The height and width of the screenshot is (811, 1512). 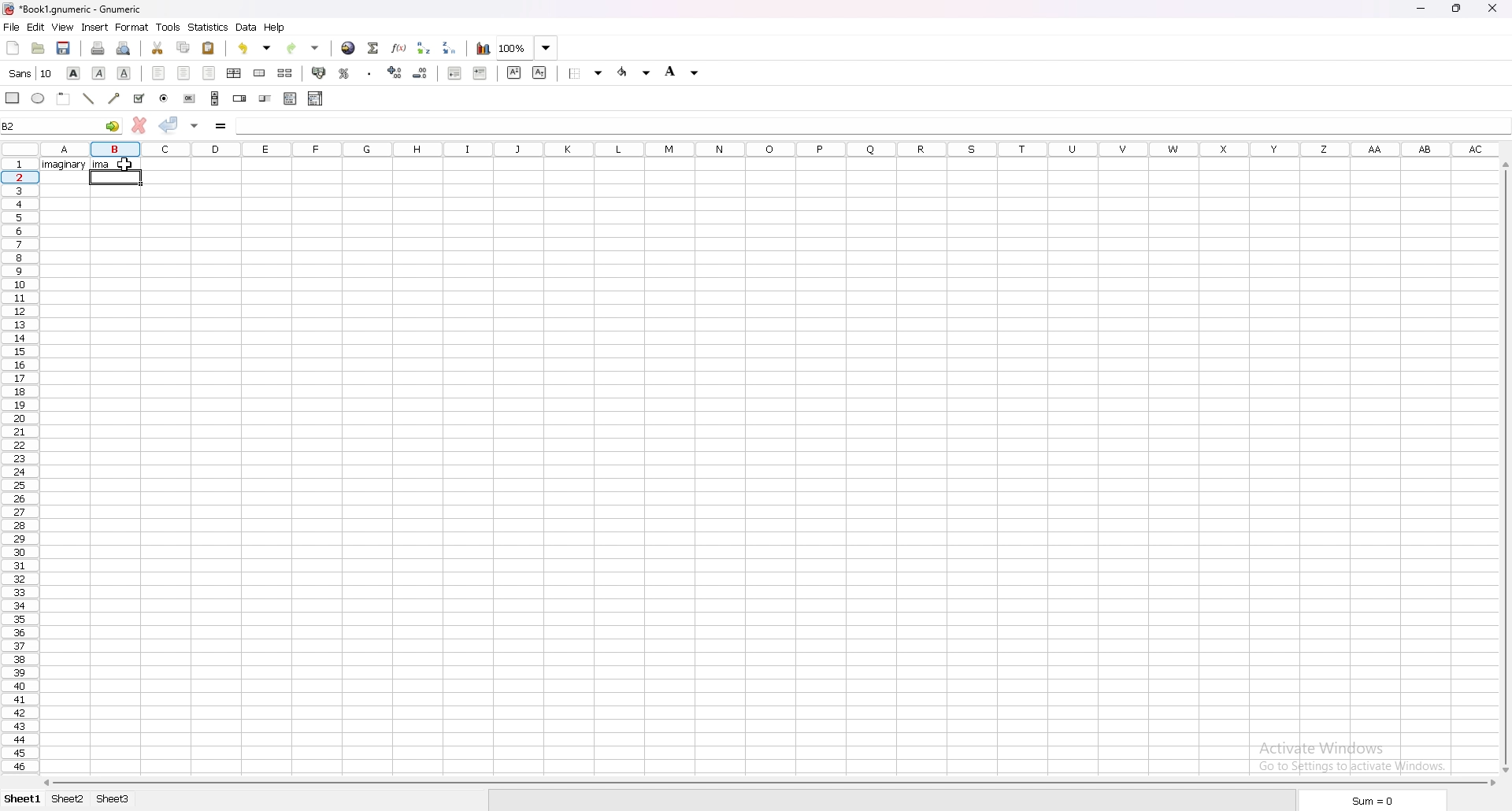 I want to click on word, so click(x=64, y=165).